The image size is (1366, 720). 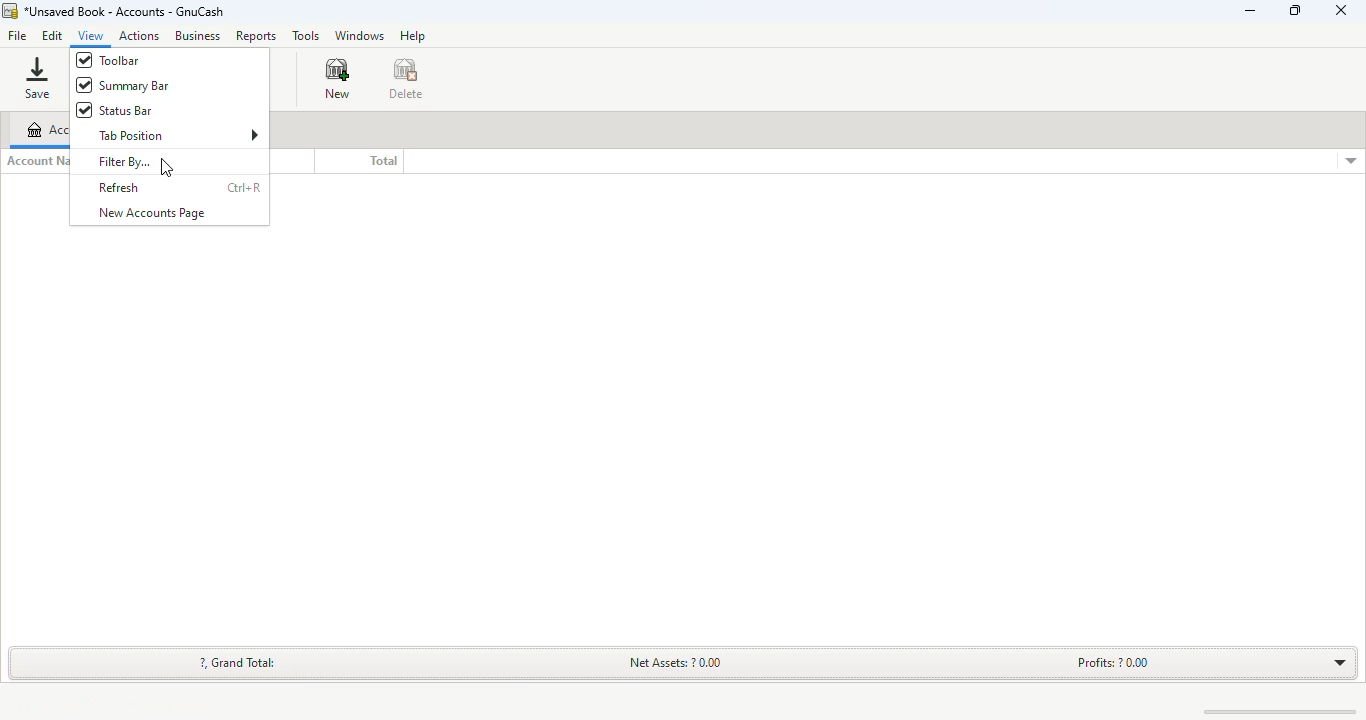 I want to click on status bar, so click(x=113, y=110).